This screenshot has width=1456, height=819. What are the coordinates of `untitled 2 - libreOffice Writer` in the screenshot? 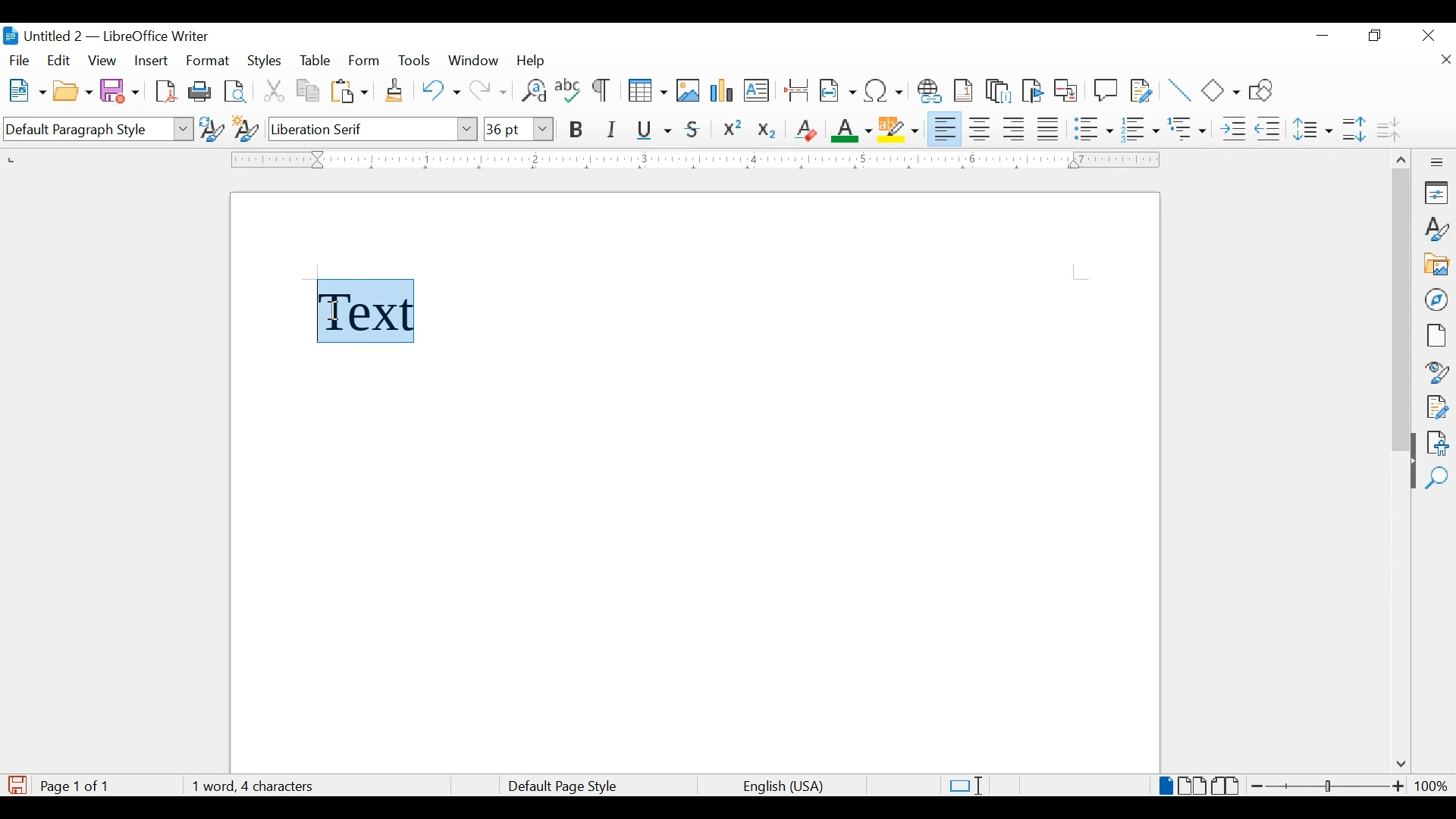 It's located at (105, 39).